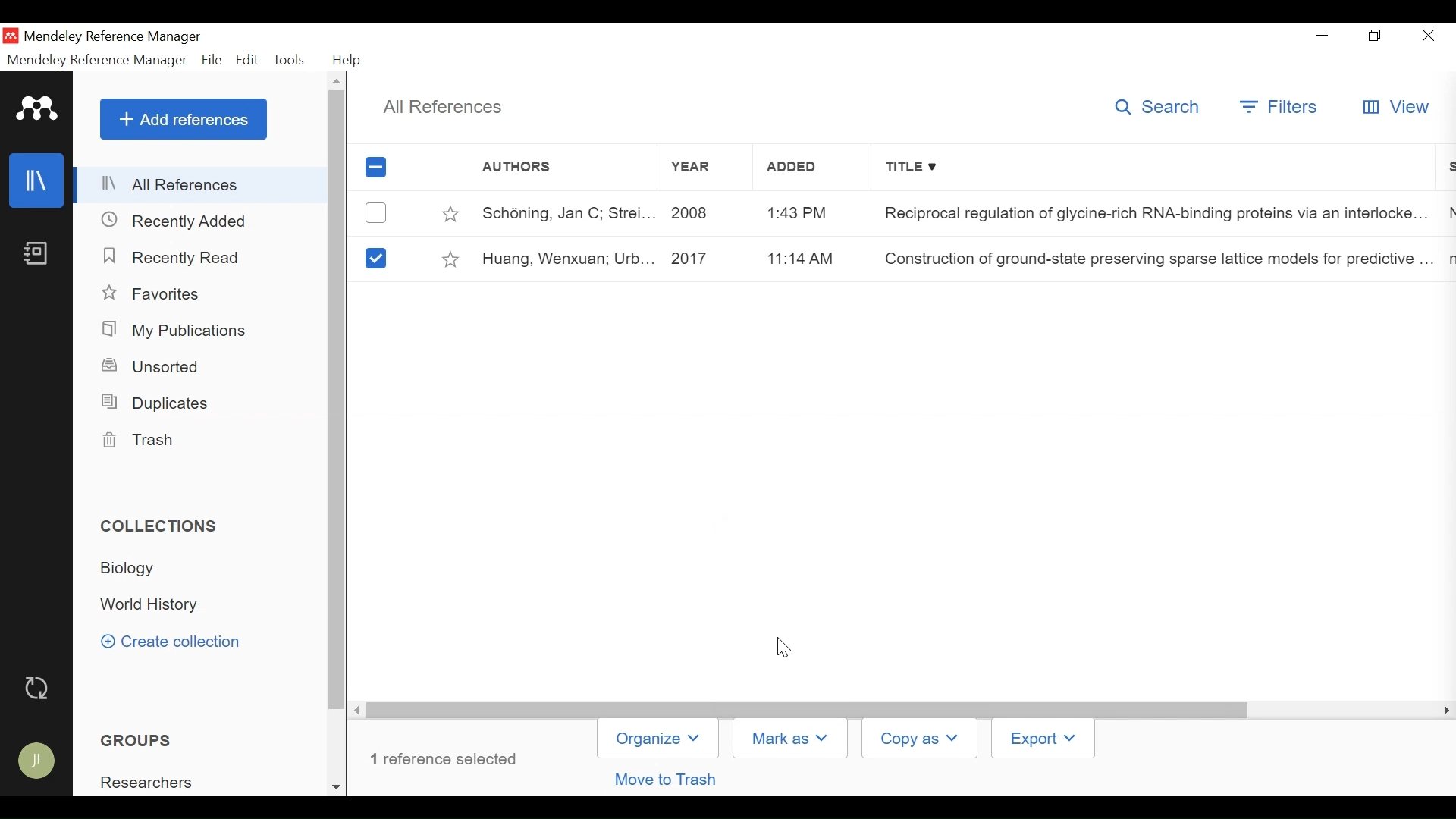  Describe the element at coordinates (449, 759) in the screenshot. I see `number of reference selected` at that location.